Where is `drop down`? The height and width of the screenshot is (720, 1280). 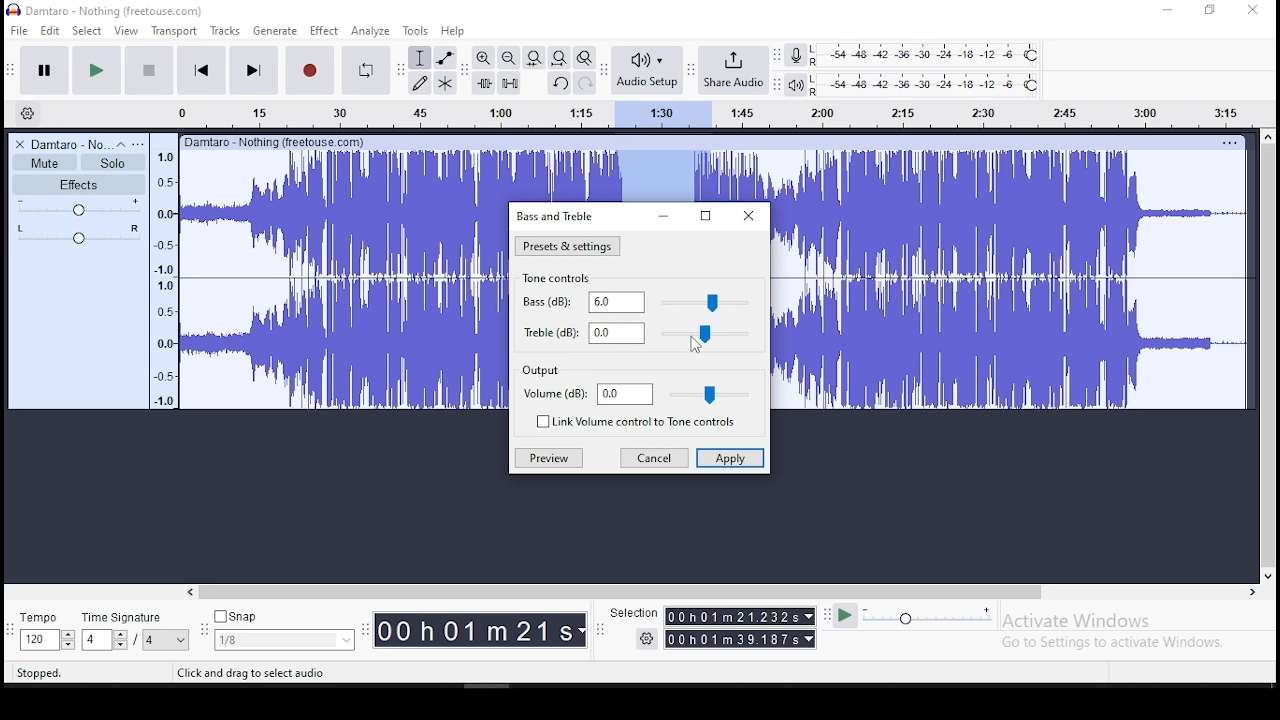
drop down is located at coordinates (182, 640).